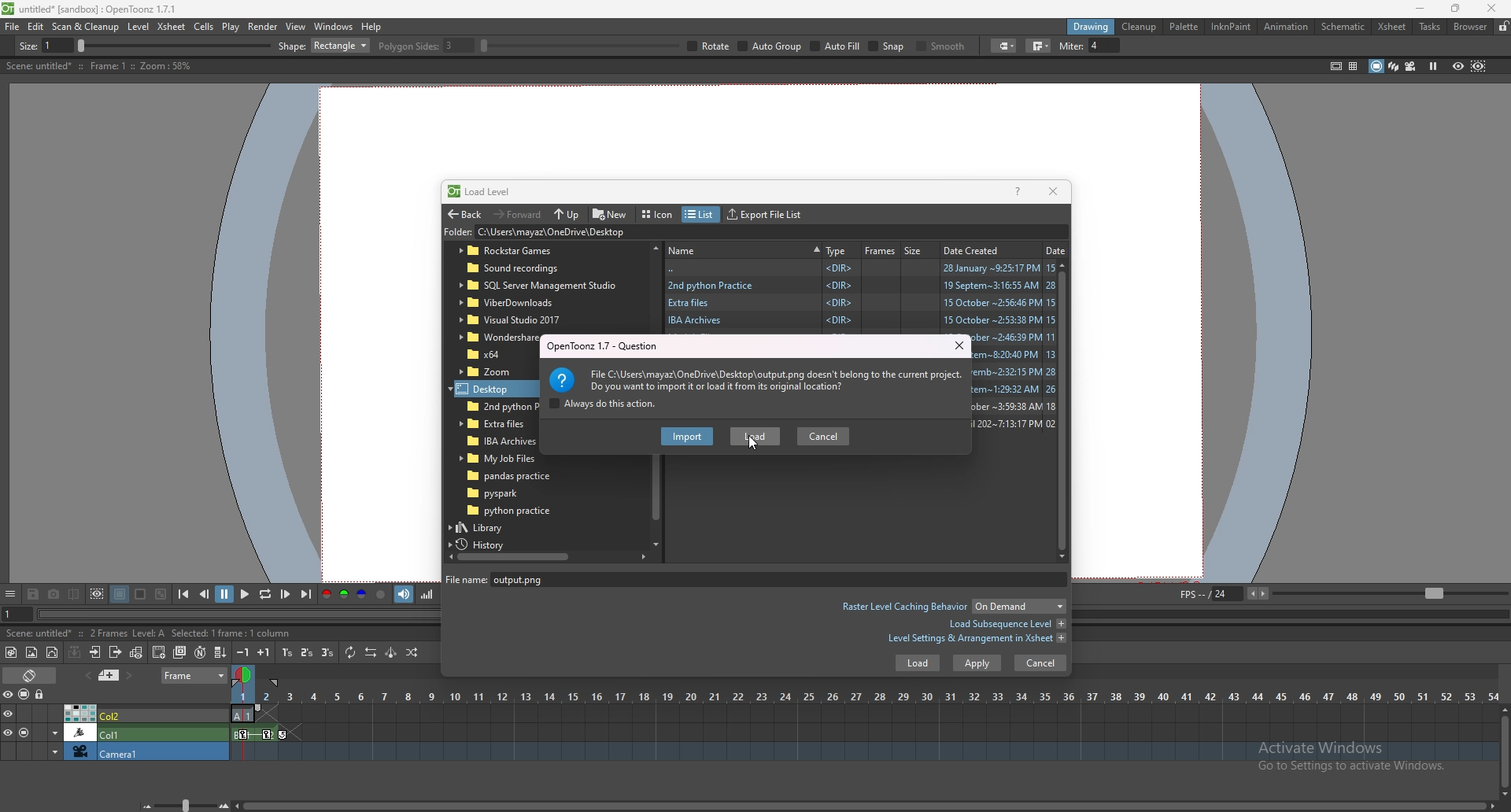 This screenshot has height=812, width=1511. What do you see at coordinates (764, 215) in the screenshot?
I see `export file list` at bounding box center [764, 215].